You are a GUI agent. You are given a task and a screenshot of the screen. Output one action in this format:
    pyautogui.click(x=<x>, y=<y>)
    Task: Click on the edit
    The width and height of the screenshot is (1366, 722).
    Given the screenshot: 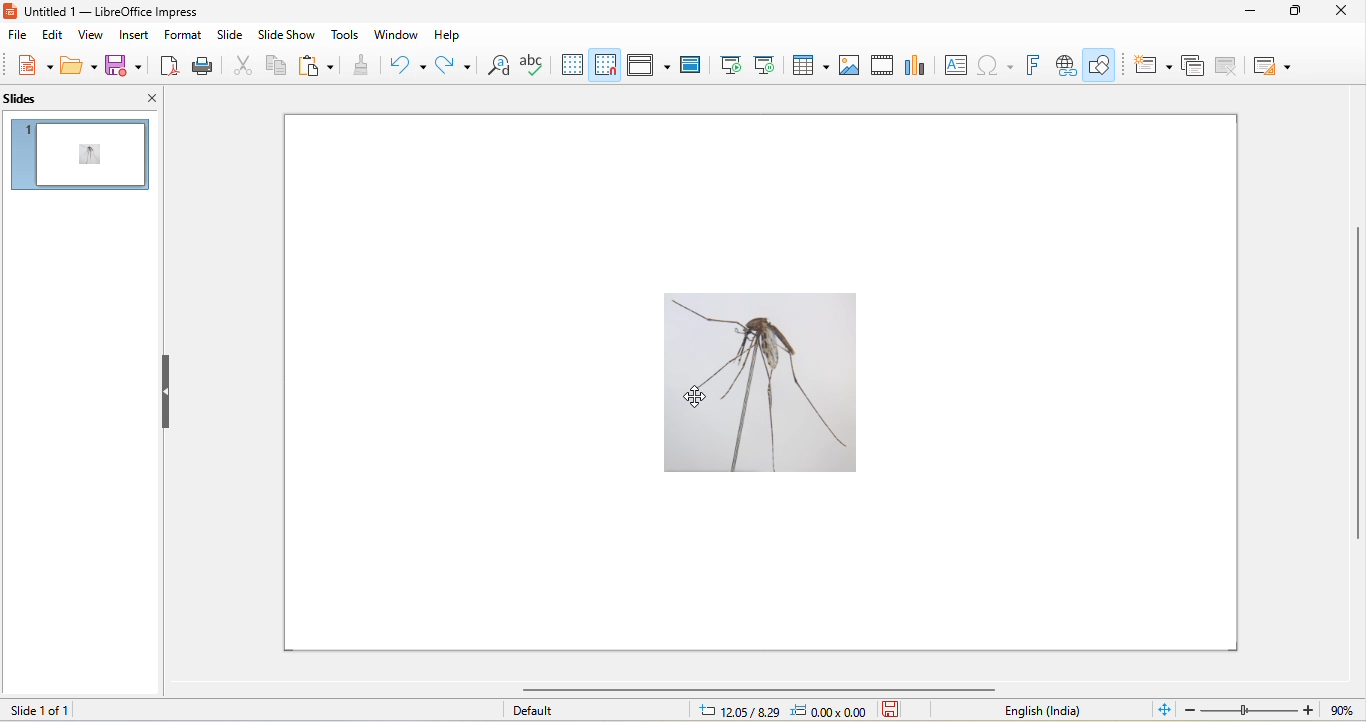 What is the action you would take?
    pyautogui.click(x=51, y=35)
    